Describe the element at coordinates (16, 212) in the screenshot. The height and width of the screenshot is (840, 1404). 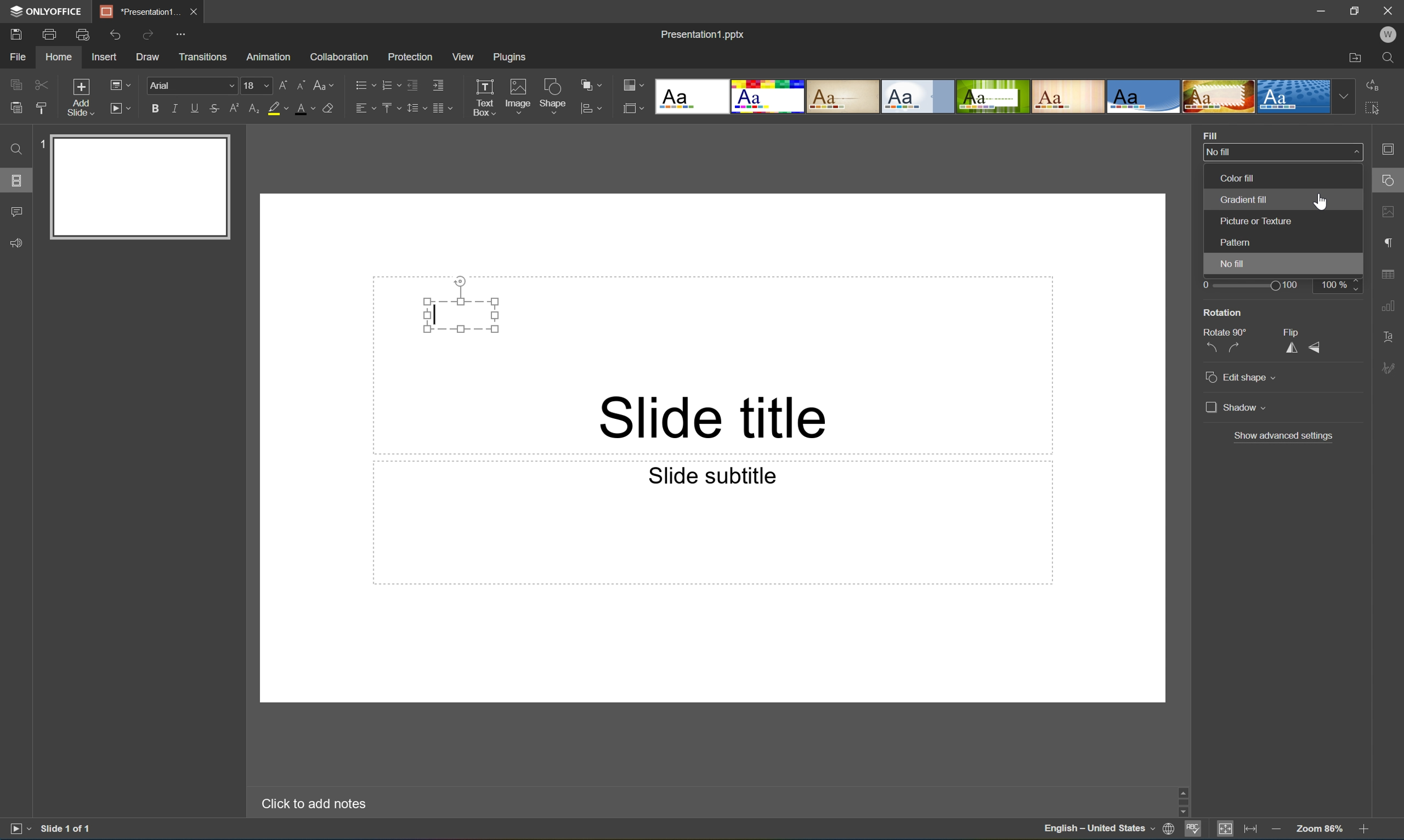
I see `Comments` at that location.